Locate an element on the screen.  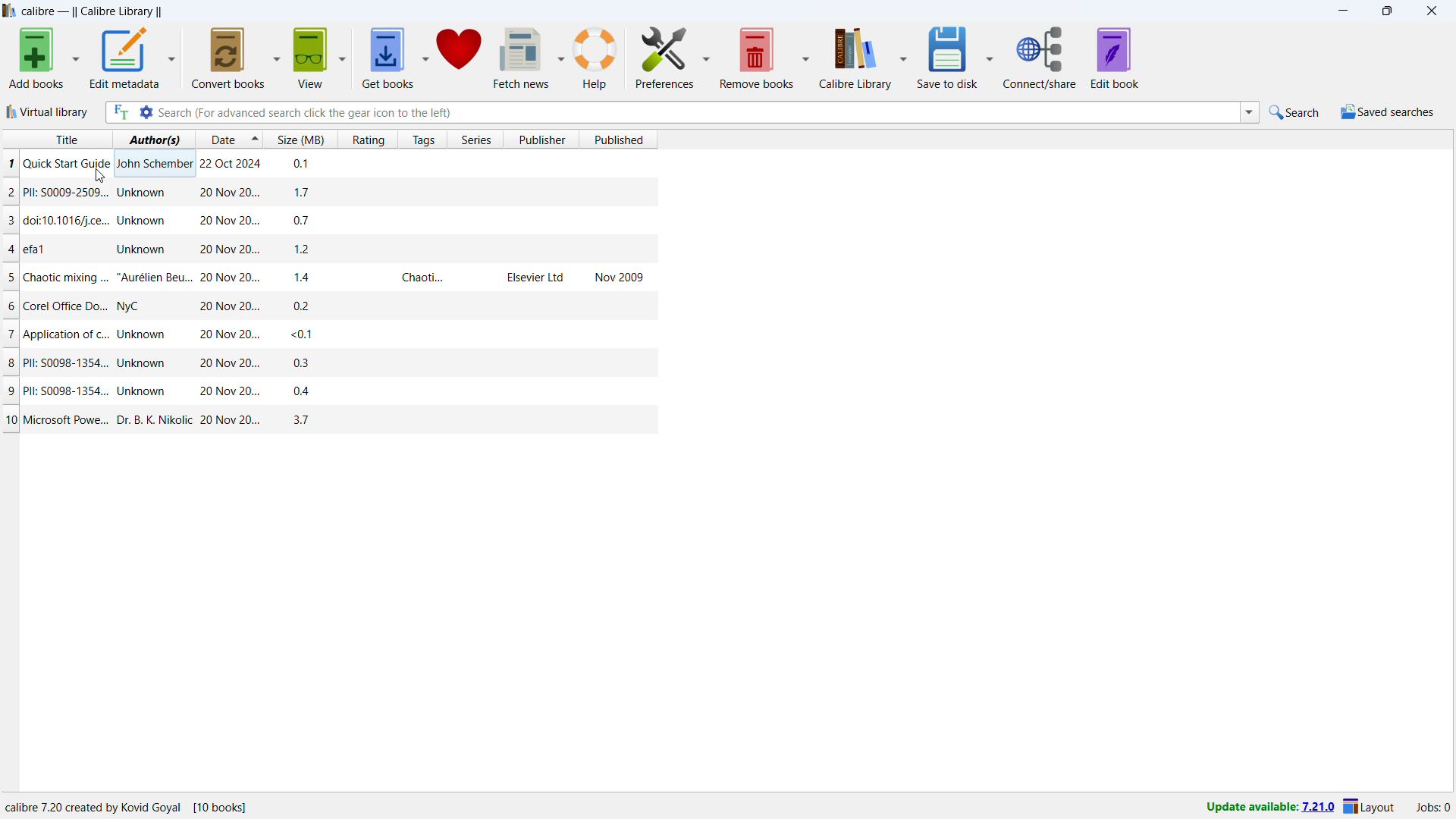
search history is located at coordinates (1248, 113).